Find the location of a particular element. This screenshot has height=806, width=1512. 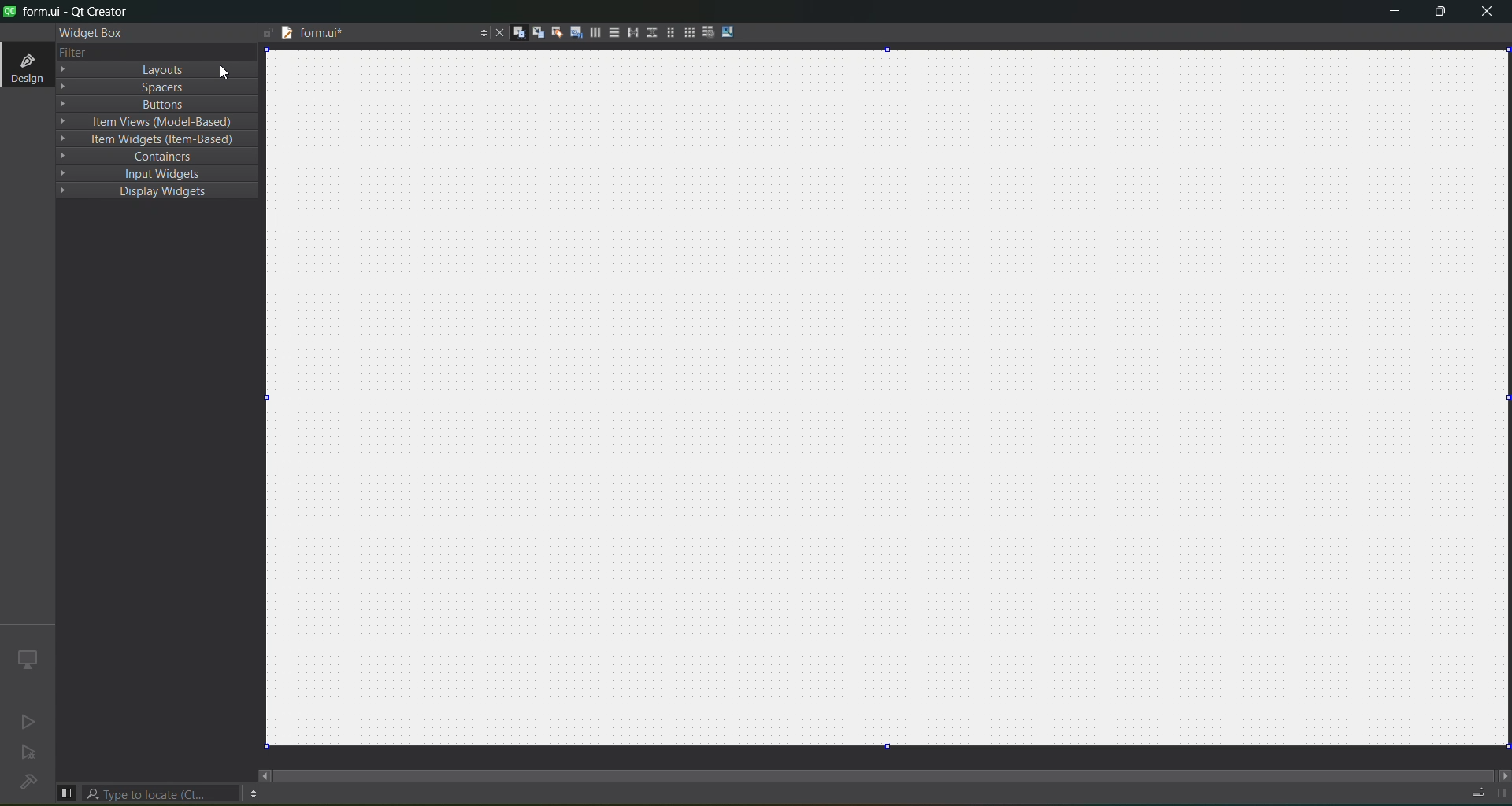

options is located at coordinates (253, 793).